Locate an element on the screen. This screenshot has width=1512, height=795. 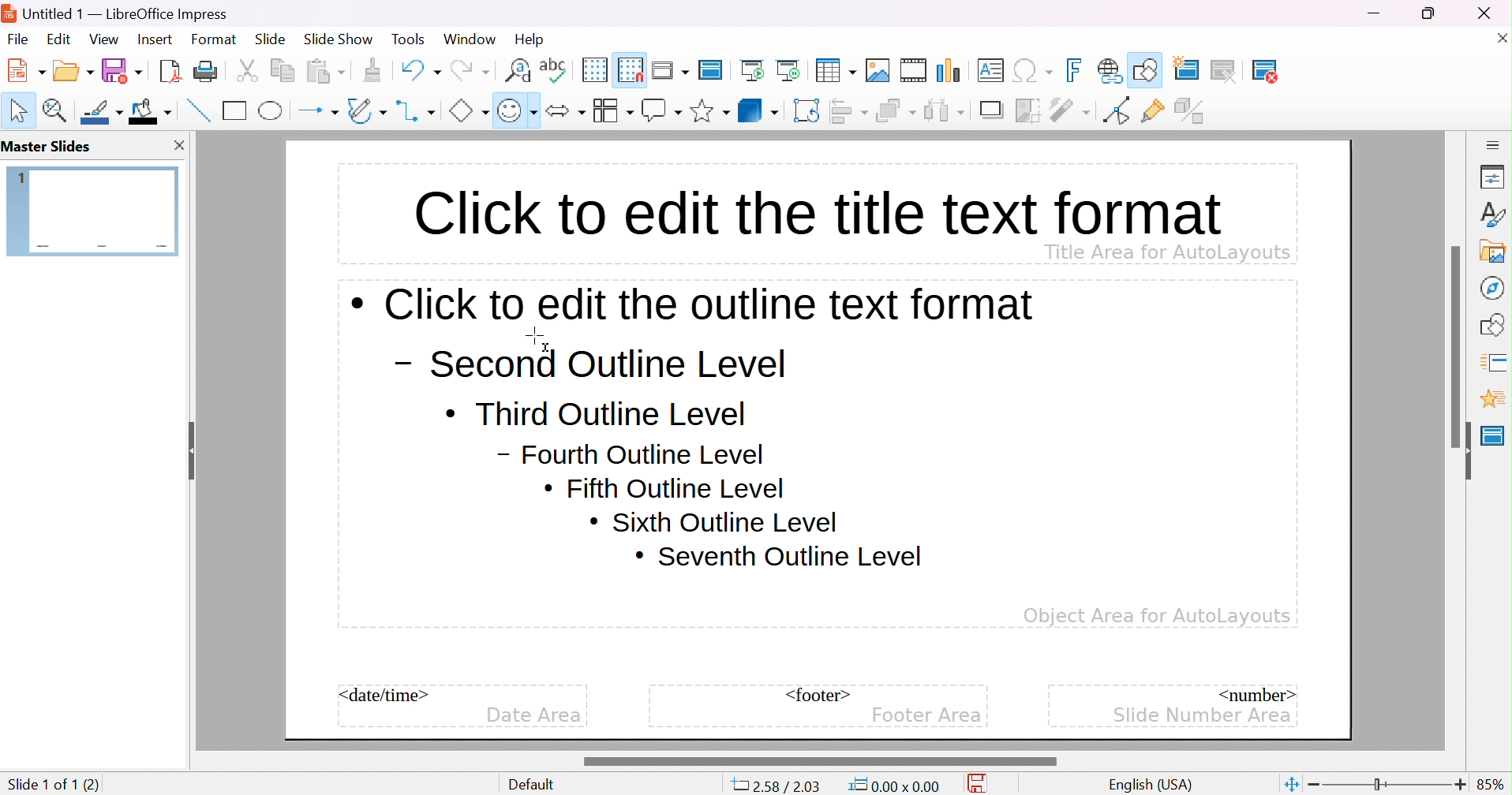
slide show is located at coordinates (339, 37).